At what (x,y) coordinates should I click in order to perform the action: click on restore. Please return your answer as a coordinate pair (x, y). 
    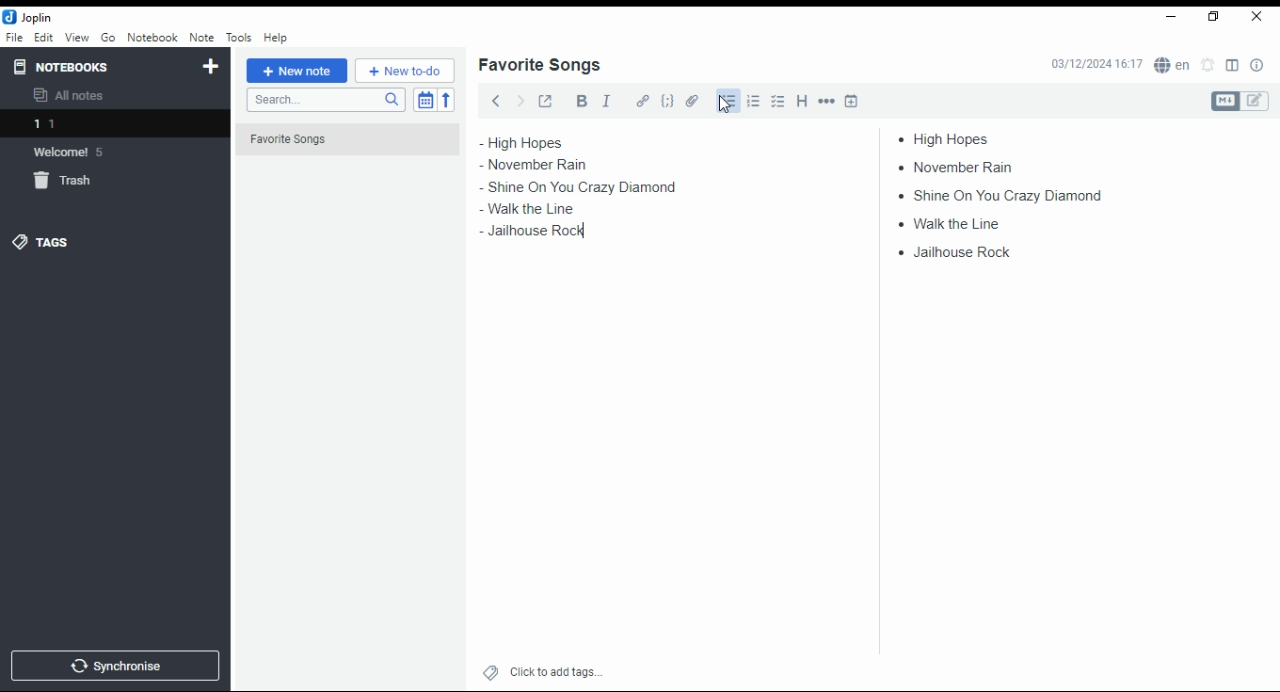
    Looking at the image, I should click on (1216, 17).